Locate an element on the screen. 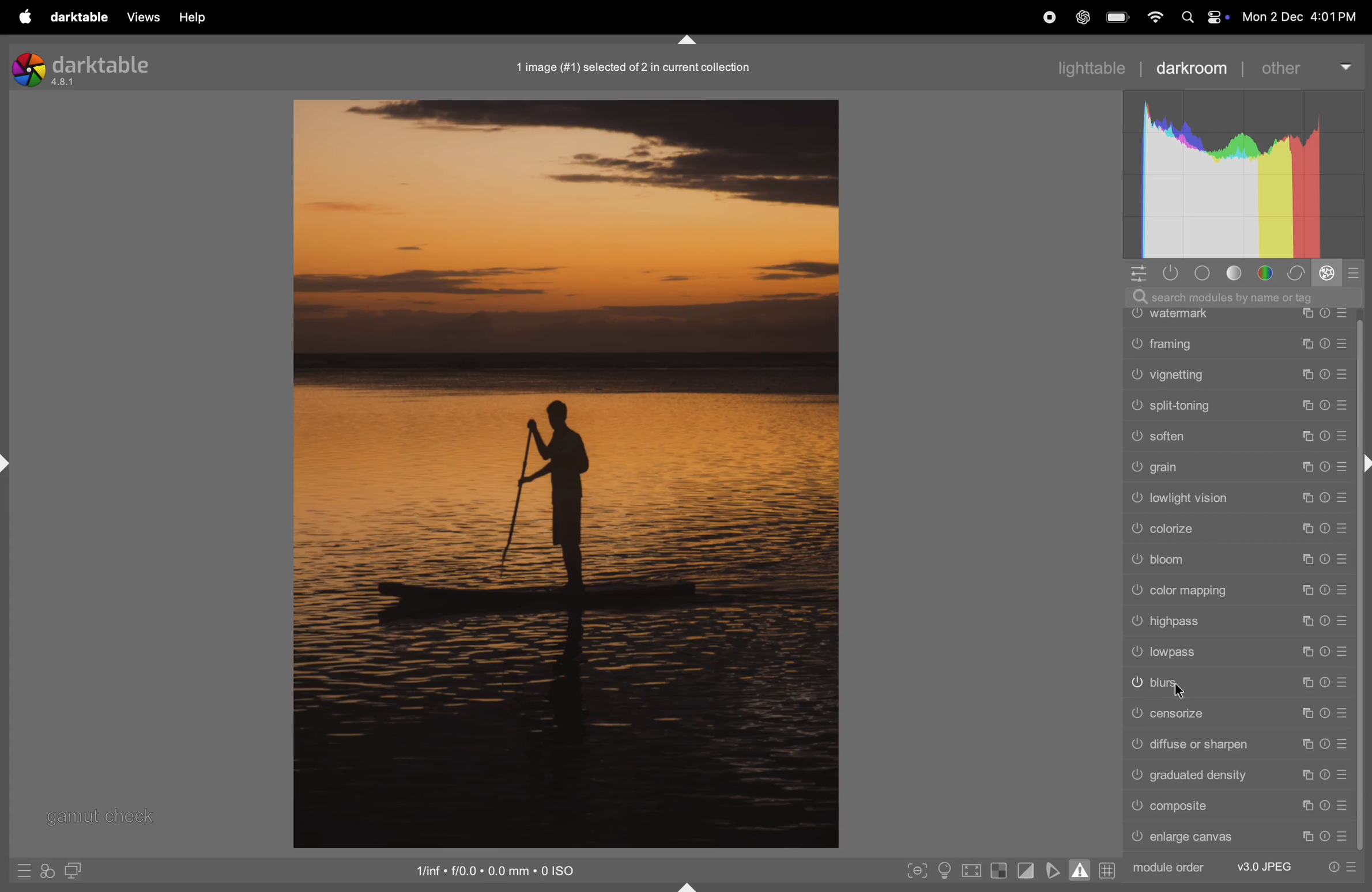 The width and height of the screenshot is (1372, 892). toggle iso is located at coordinates (943, 872).